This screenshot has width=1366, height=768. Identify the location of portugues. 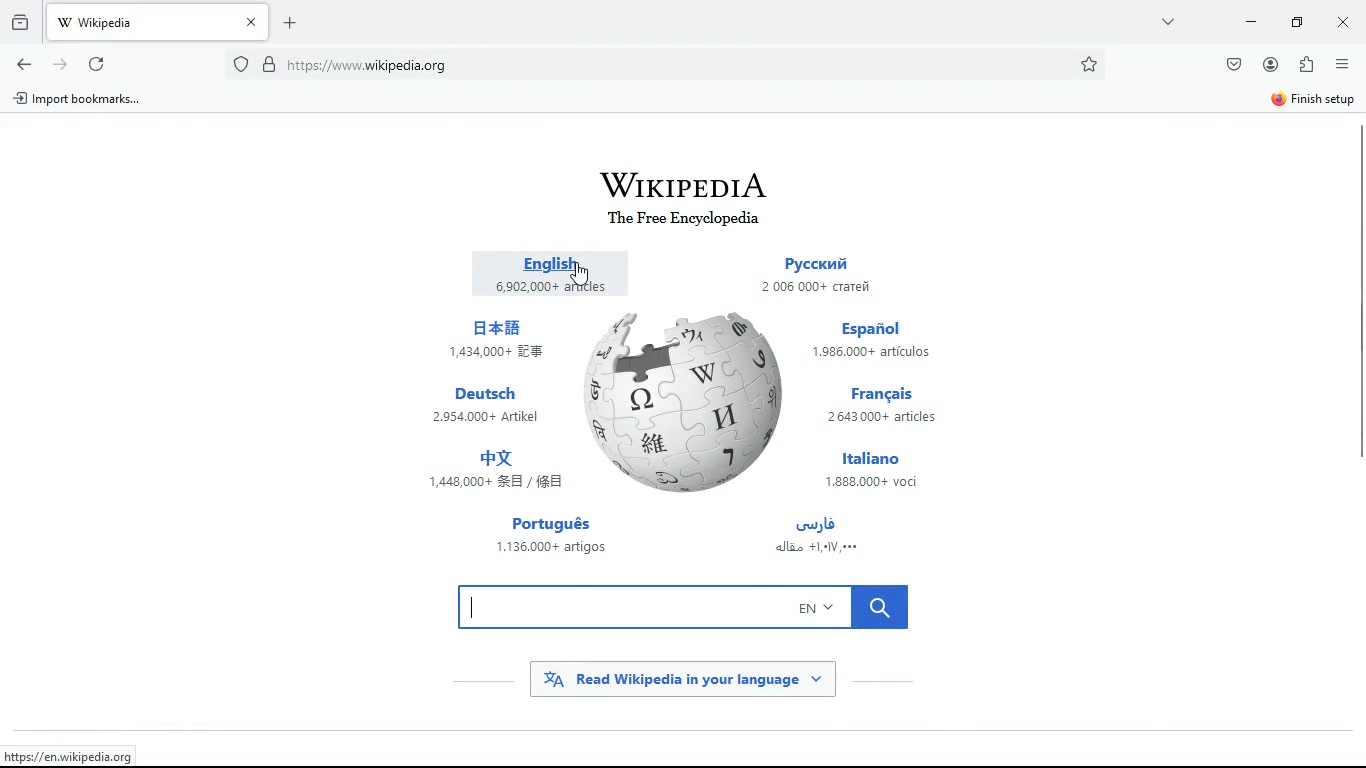
(549, 537).